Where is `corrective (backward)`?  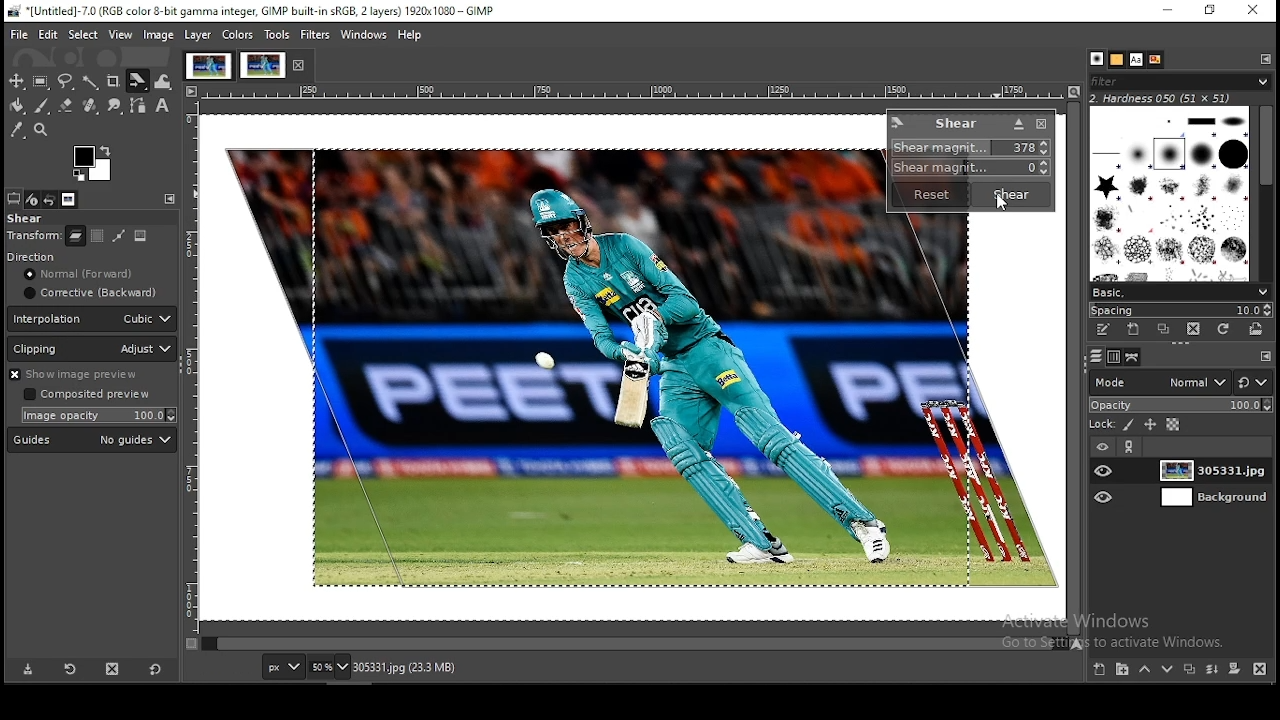 corrective (backward) is located at coordinates (89, 294).